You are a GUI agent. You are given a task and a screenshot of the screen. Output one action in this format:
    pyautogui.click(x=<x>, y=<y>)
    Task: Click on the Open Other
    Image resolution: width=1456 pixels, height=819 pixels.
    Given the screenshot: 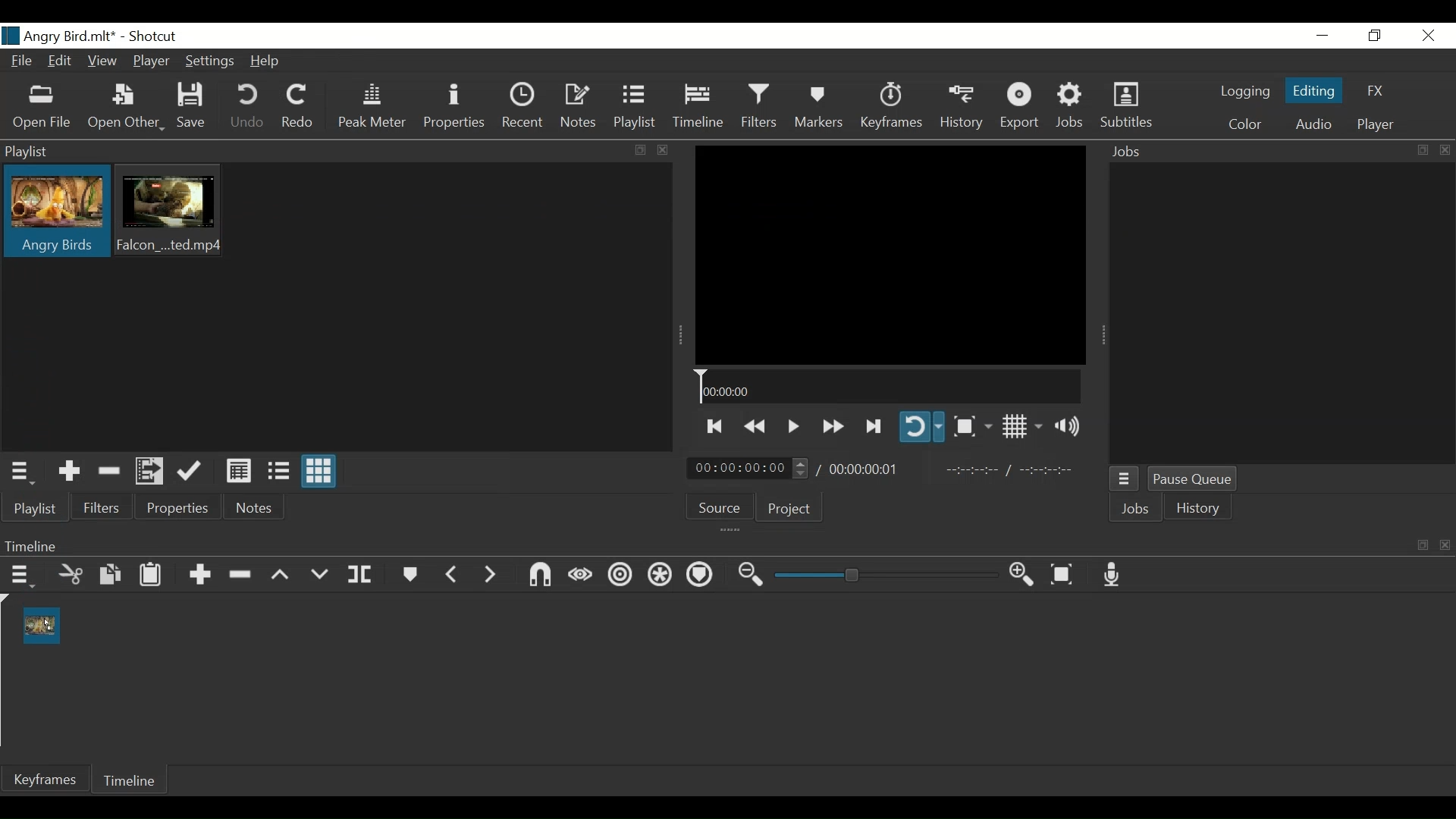 What is the action you would take?
    pyautogui.click(x=127, y=106)
    